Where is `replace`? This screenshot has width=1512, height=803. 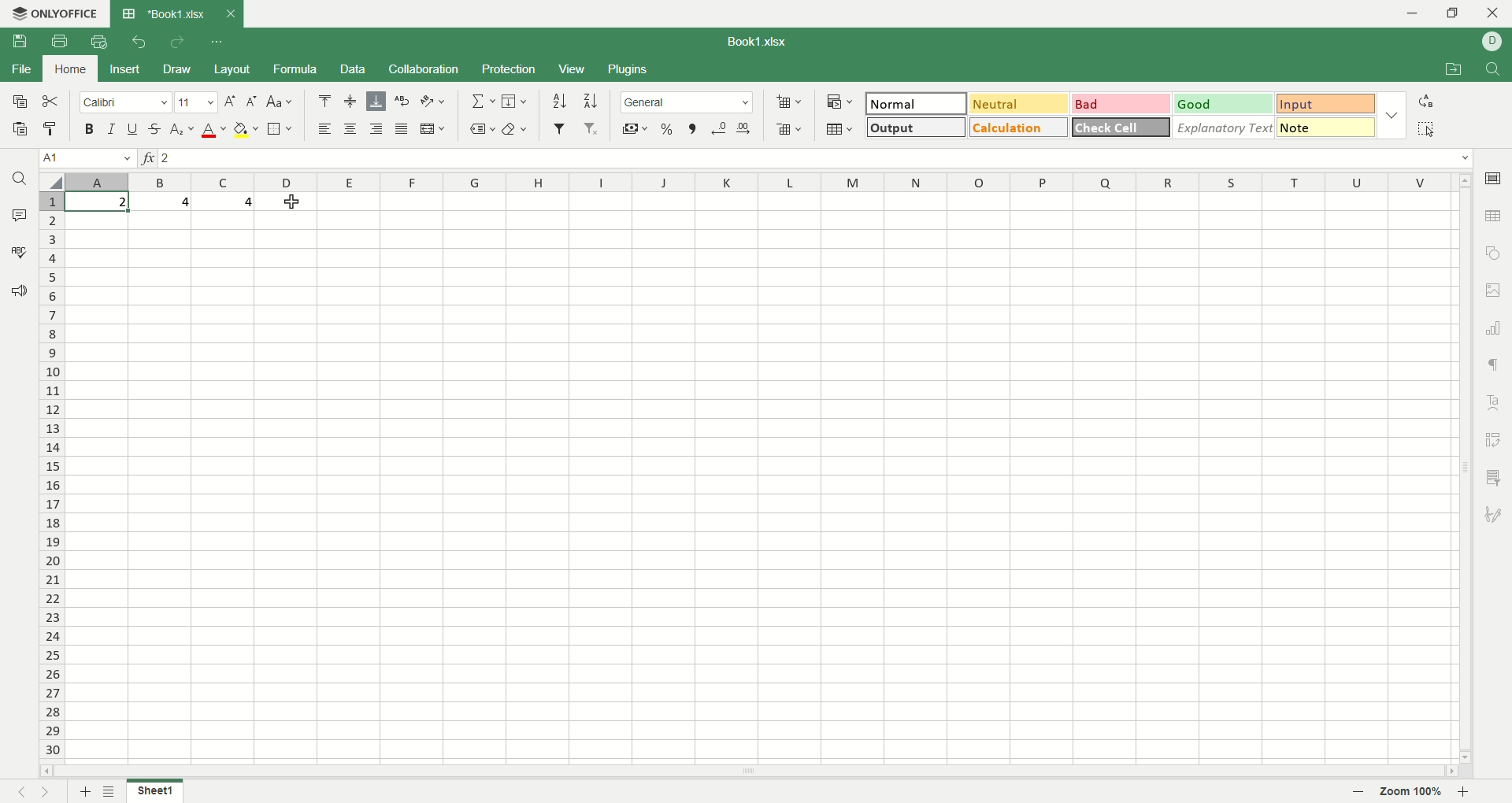 replace is located at coordinates (1425, 102).